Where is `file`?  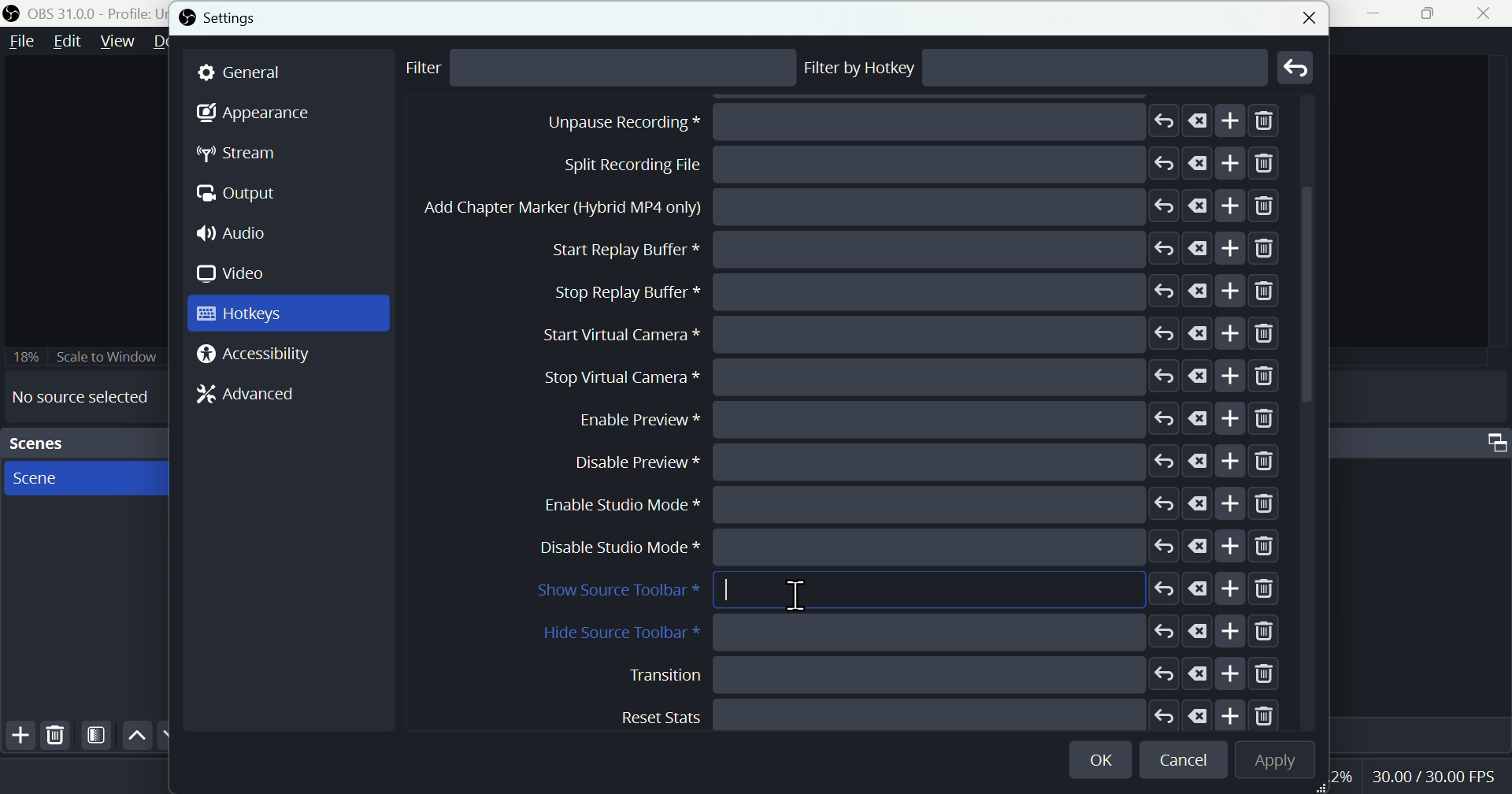 file is located at coordinates (23, 42).